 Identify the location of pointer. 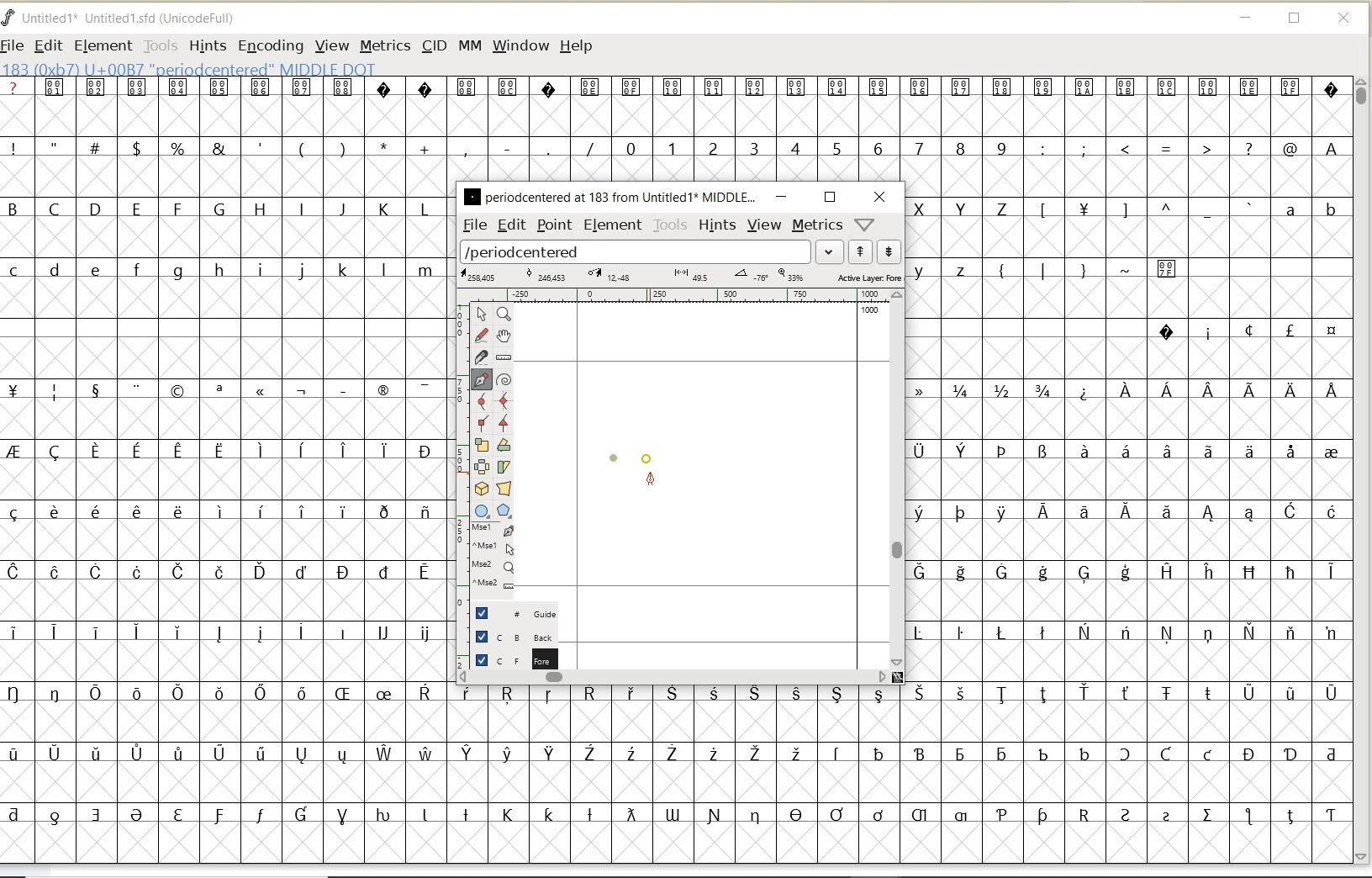
(481, 315).